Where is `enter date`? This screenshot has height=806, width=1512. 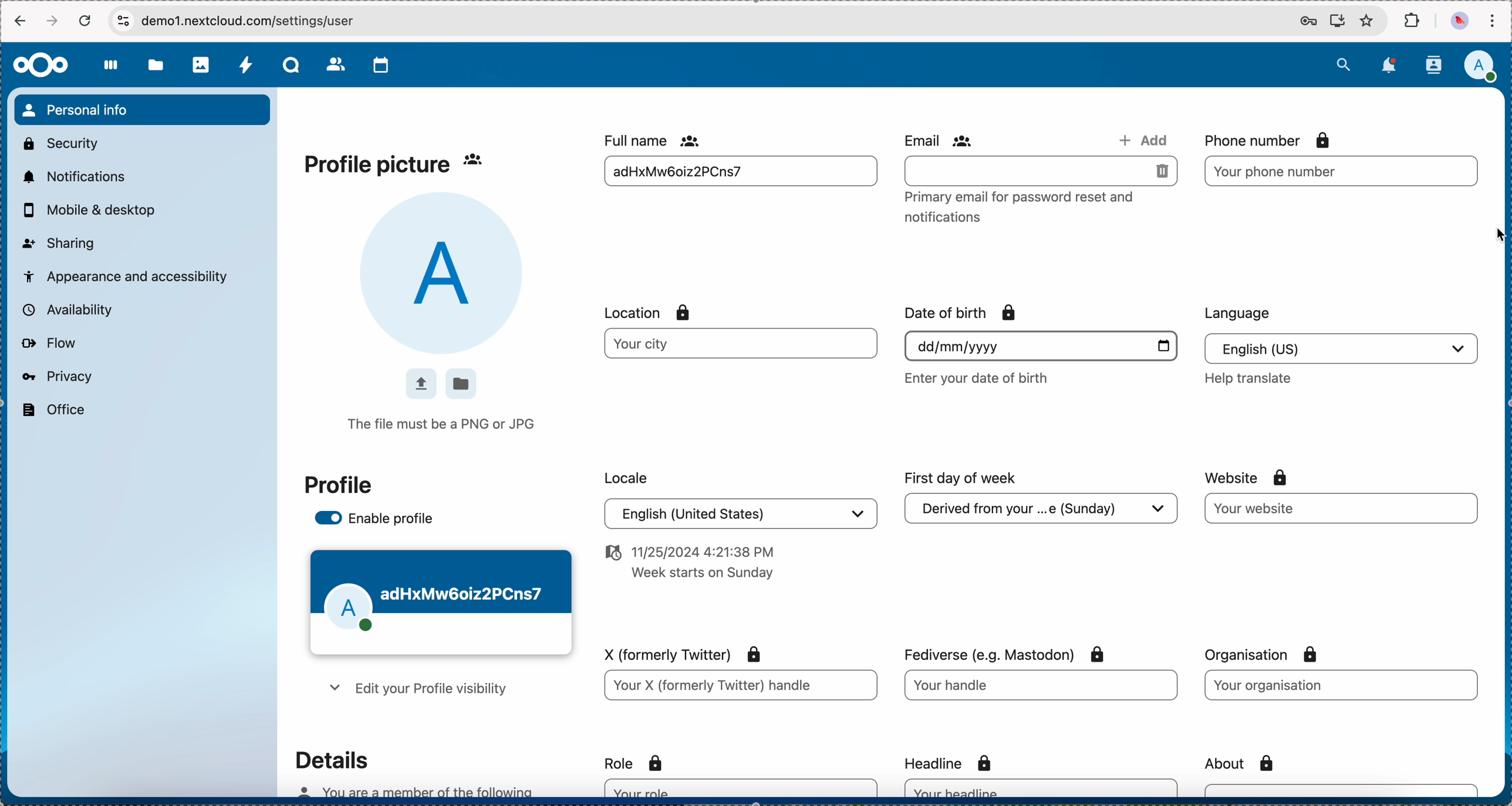 enter date is located at coordinates (1040, 346).